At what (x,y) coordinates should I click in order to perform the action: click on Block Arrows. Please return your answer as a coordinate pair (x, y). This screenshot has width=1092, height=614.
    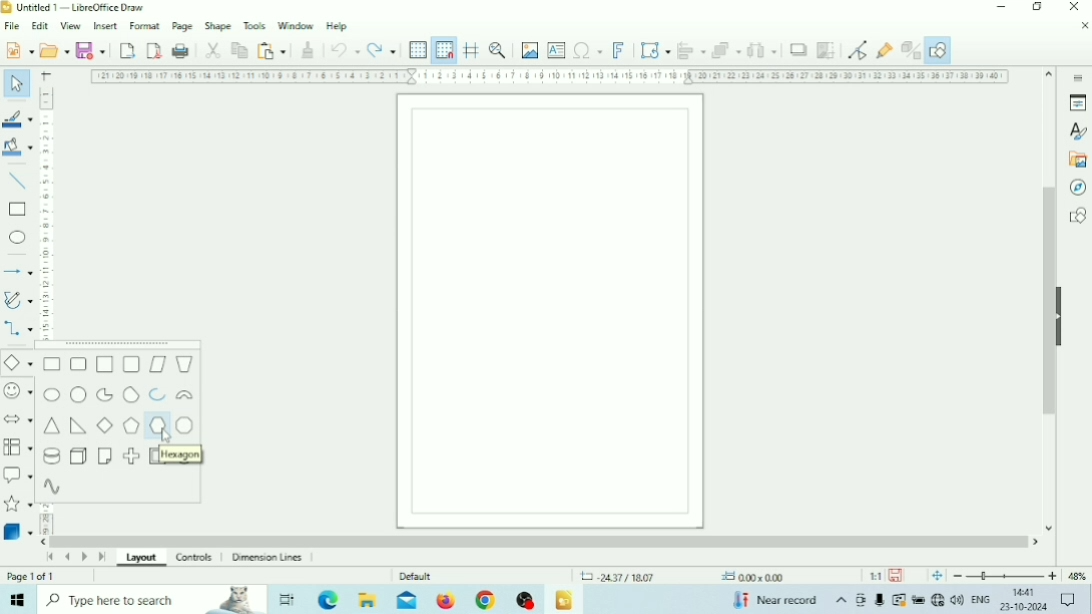
    Looking at the image, I should click on (18, 418).